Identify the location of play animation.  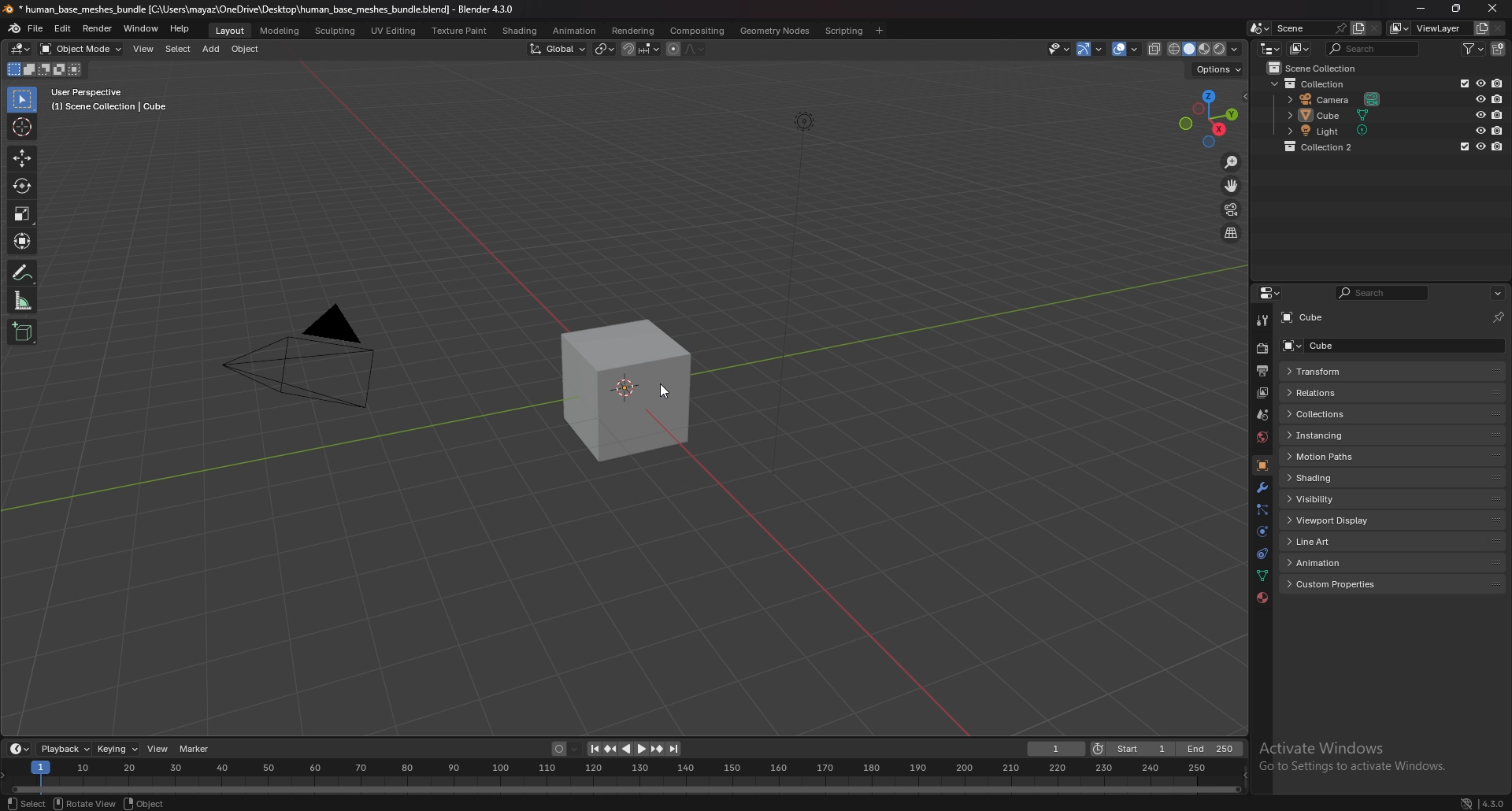
(635, 749).